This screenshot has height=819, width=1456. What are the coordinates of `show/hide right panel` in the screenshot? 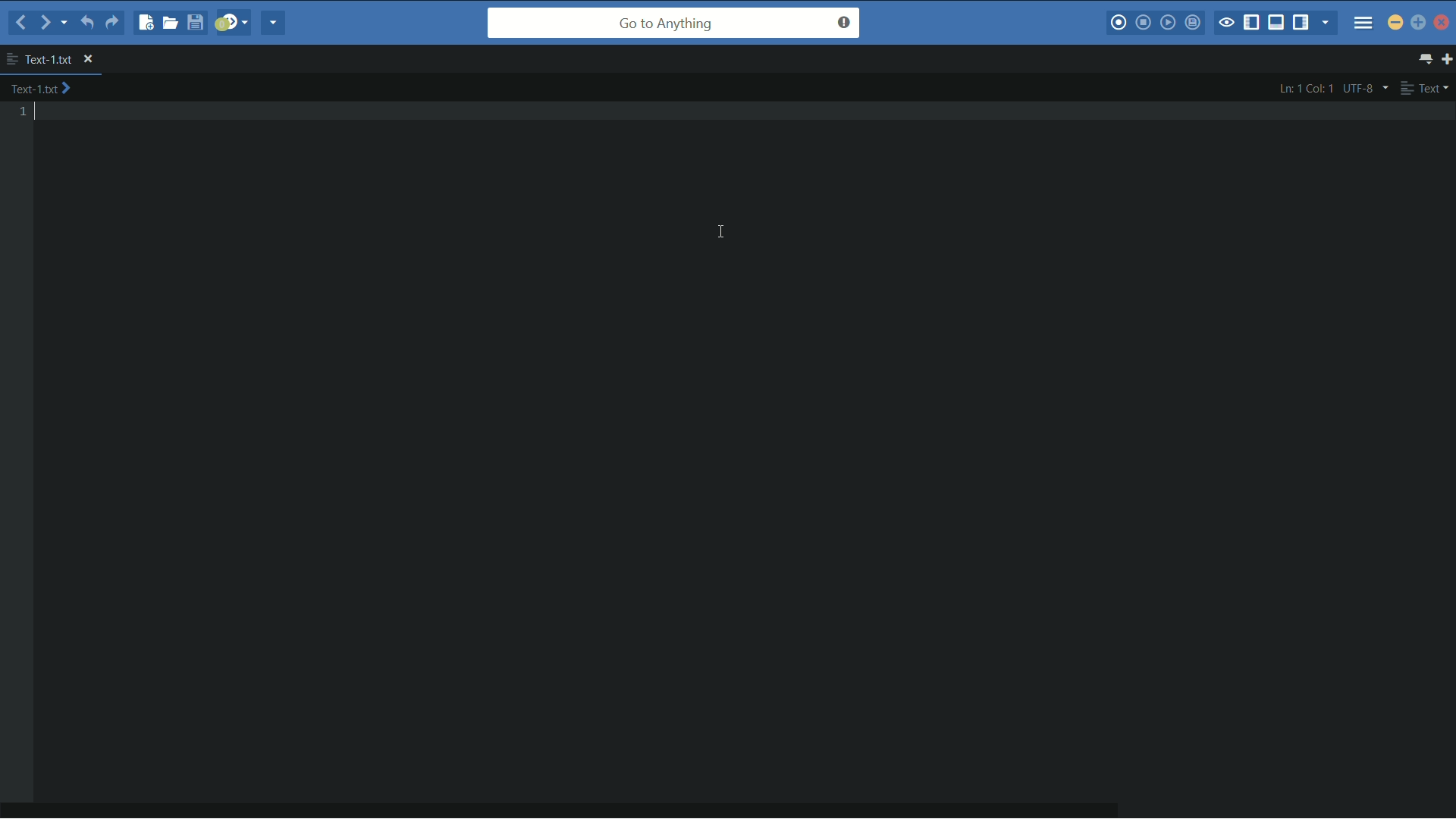 It's located at (1301, 23).